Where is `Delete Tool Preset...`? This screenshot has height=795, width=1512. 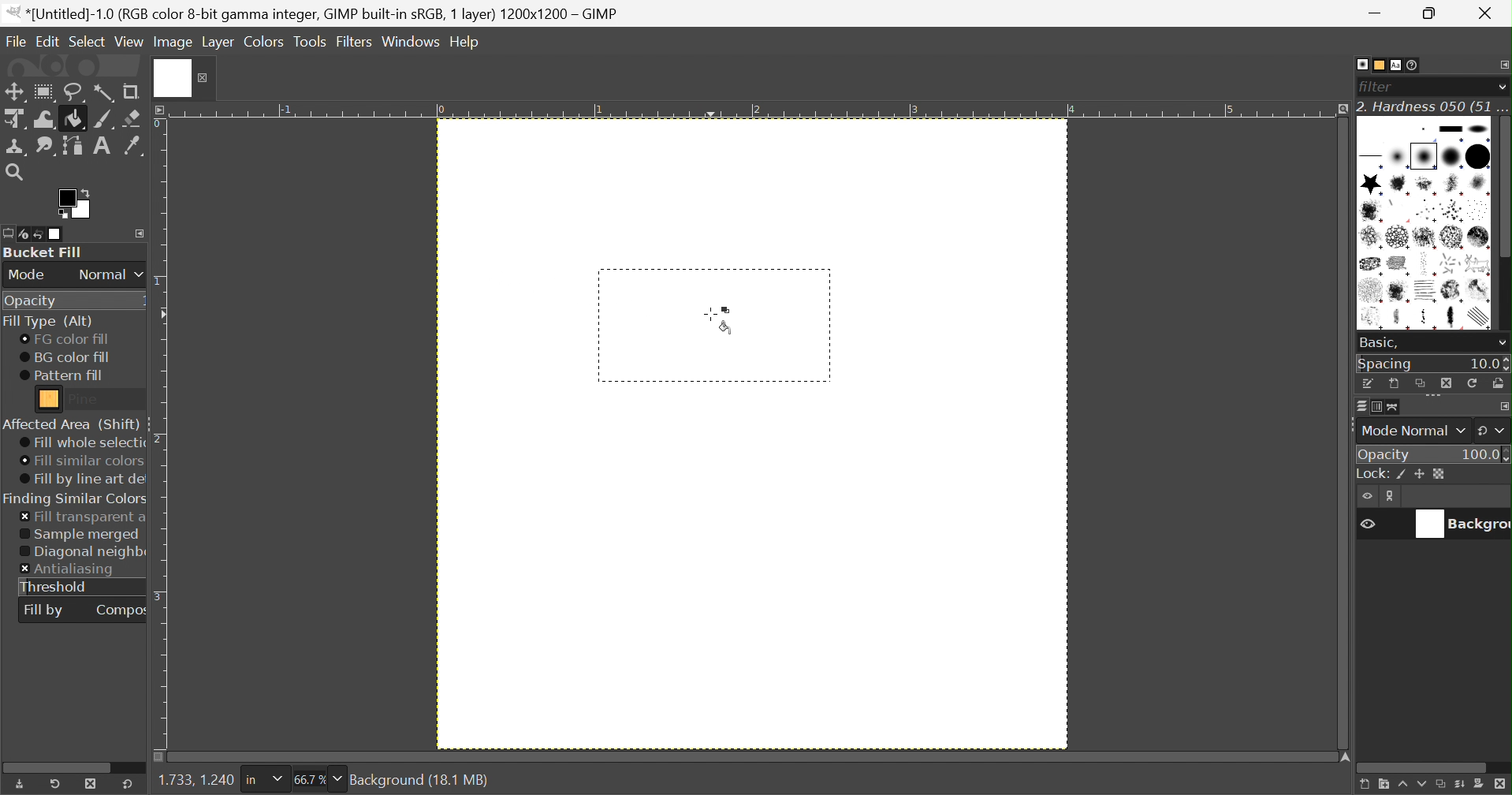 Delete Tool Preset... is located at coordinates (91, 783).